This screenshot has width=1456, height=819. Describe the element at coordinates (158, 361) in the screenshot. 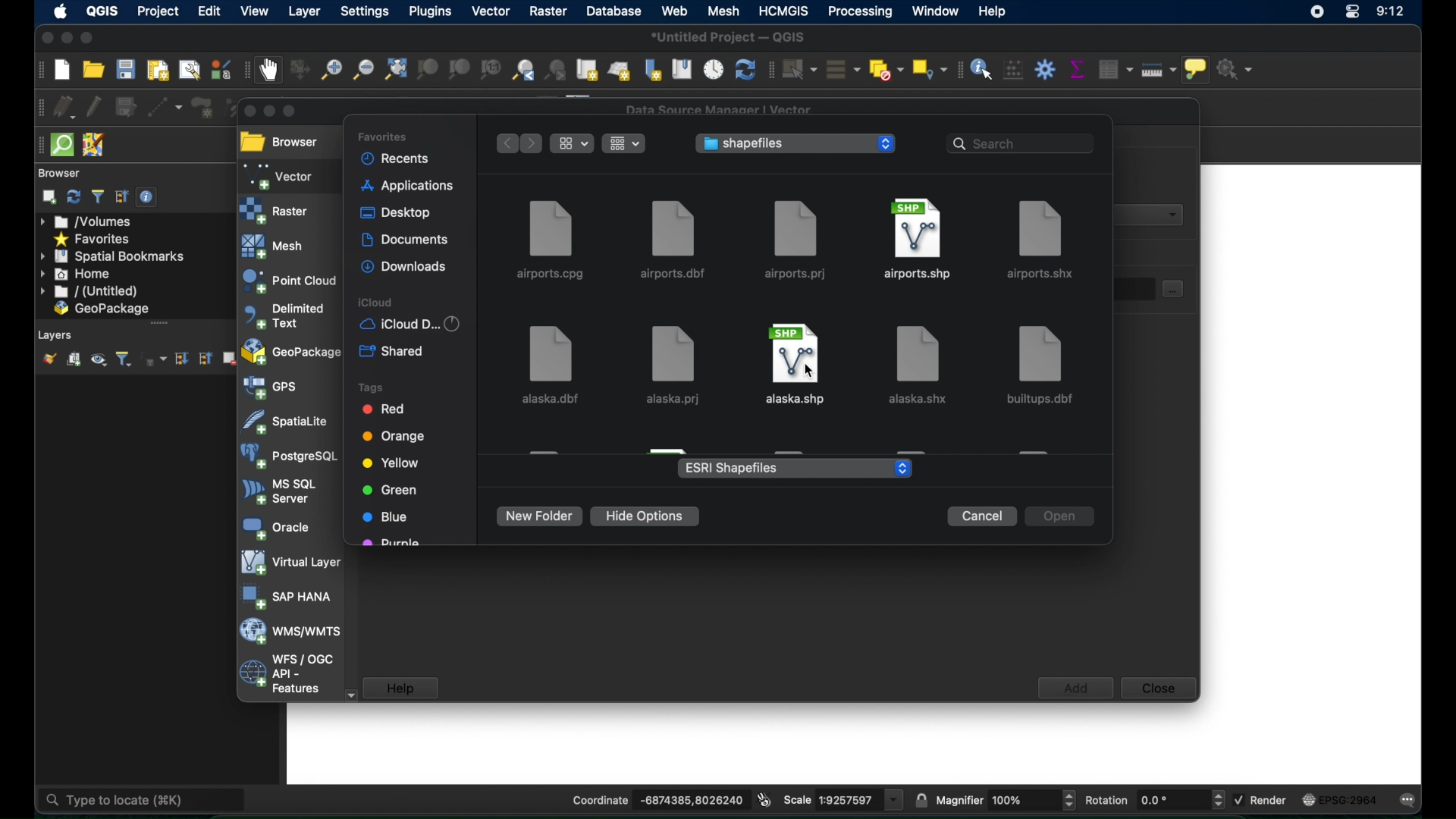

I see `filter legend by expression` at that location.